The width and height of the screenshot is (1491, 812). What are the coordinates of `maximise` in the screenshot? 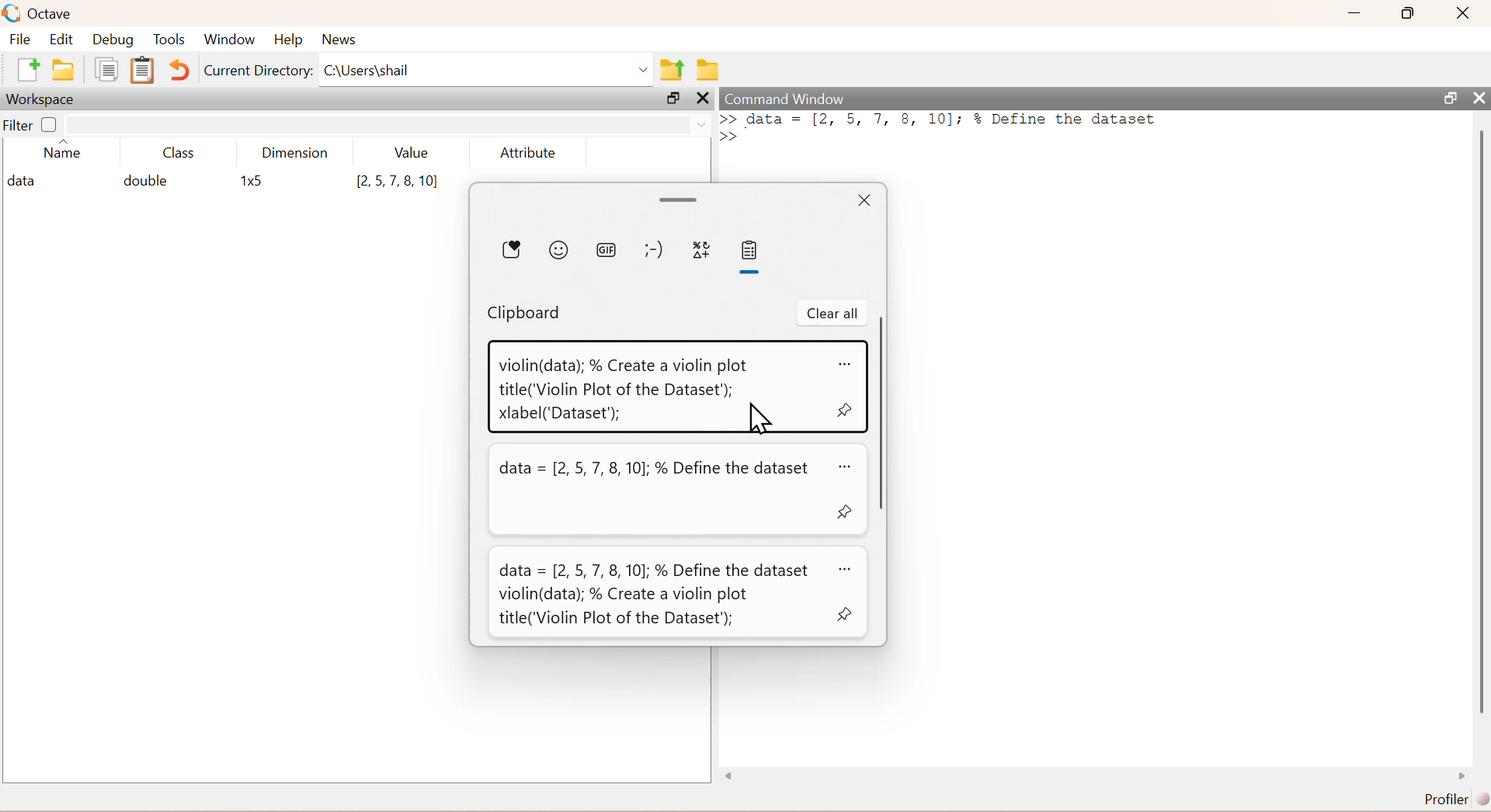 It's located at (1409, 12).